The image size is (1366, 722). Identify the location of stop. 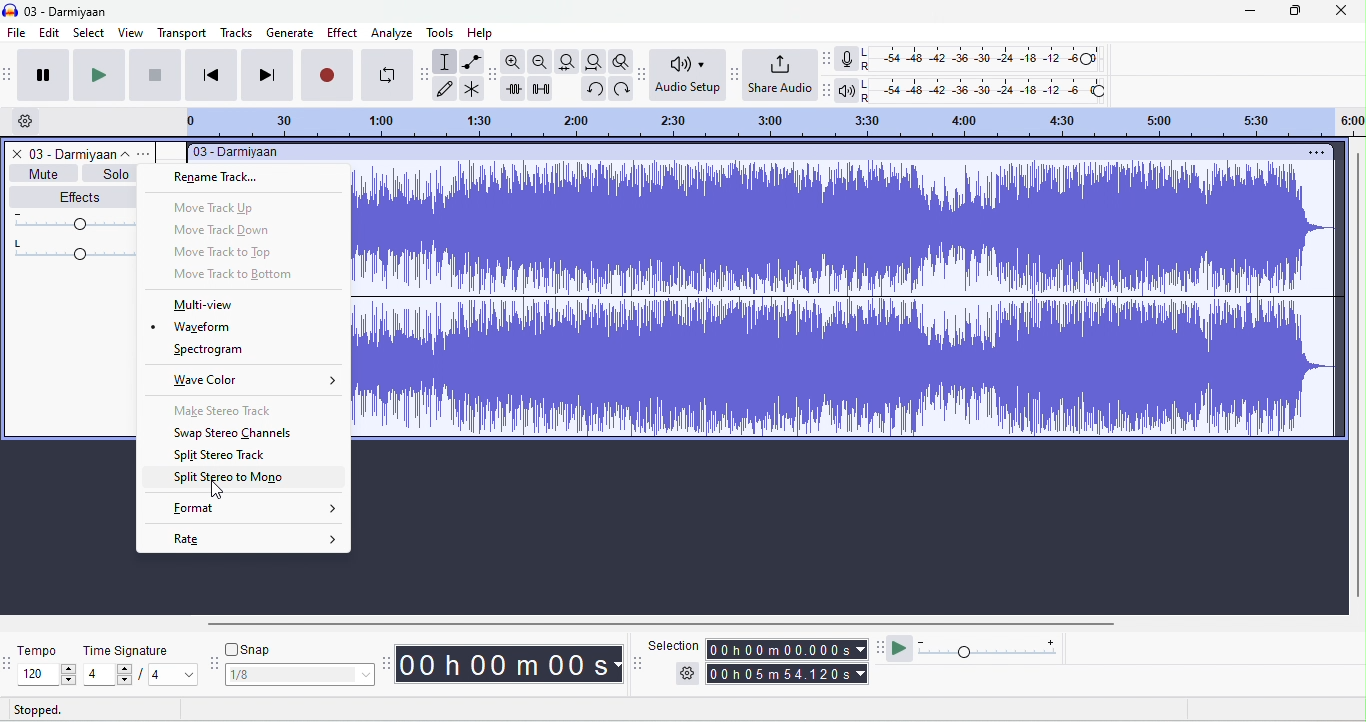
(155, 75).